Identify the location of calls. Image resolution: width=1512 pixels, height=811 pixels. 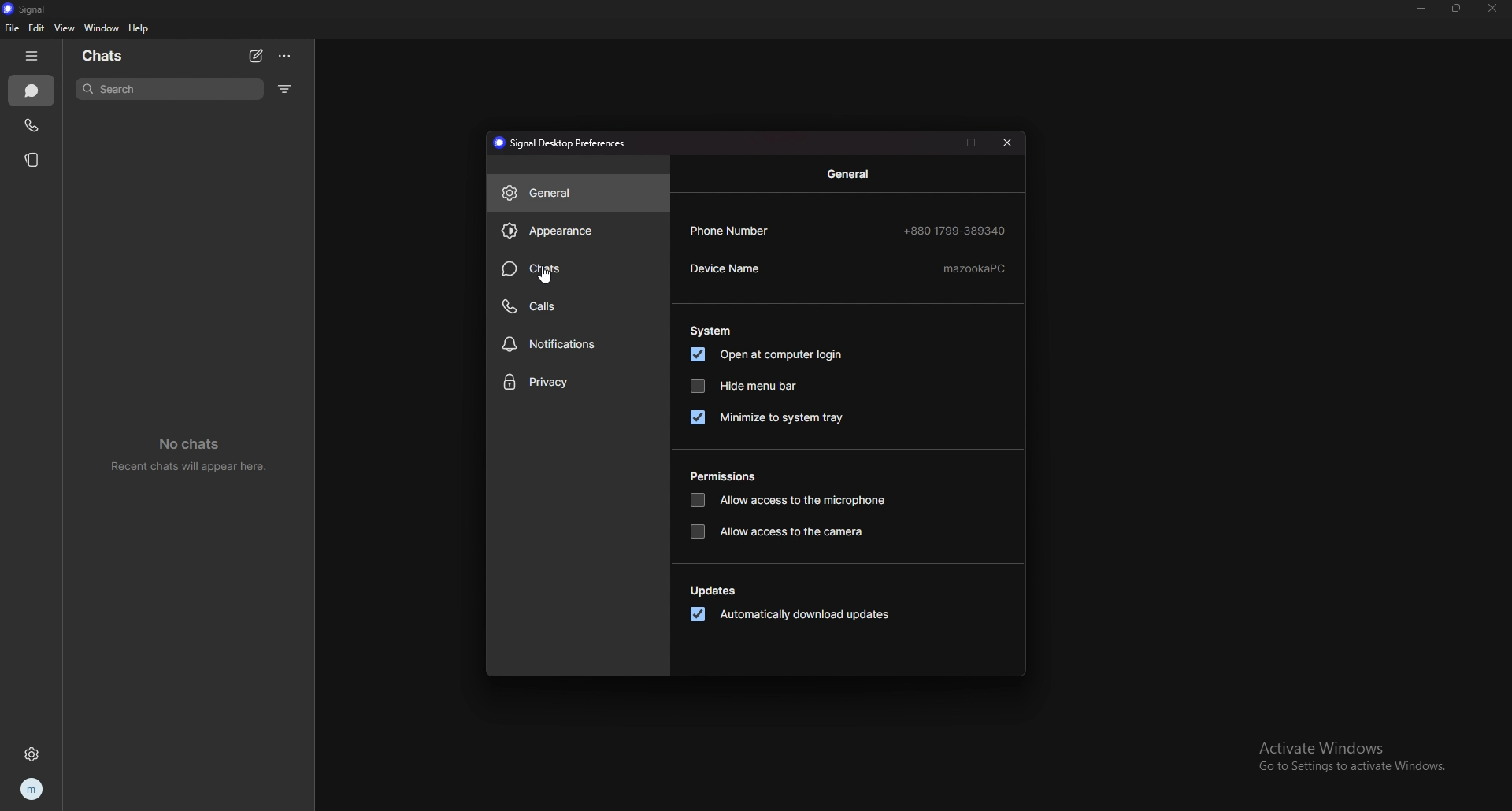
(32, 125).